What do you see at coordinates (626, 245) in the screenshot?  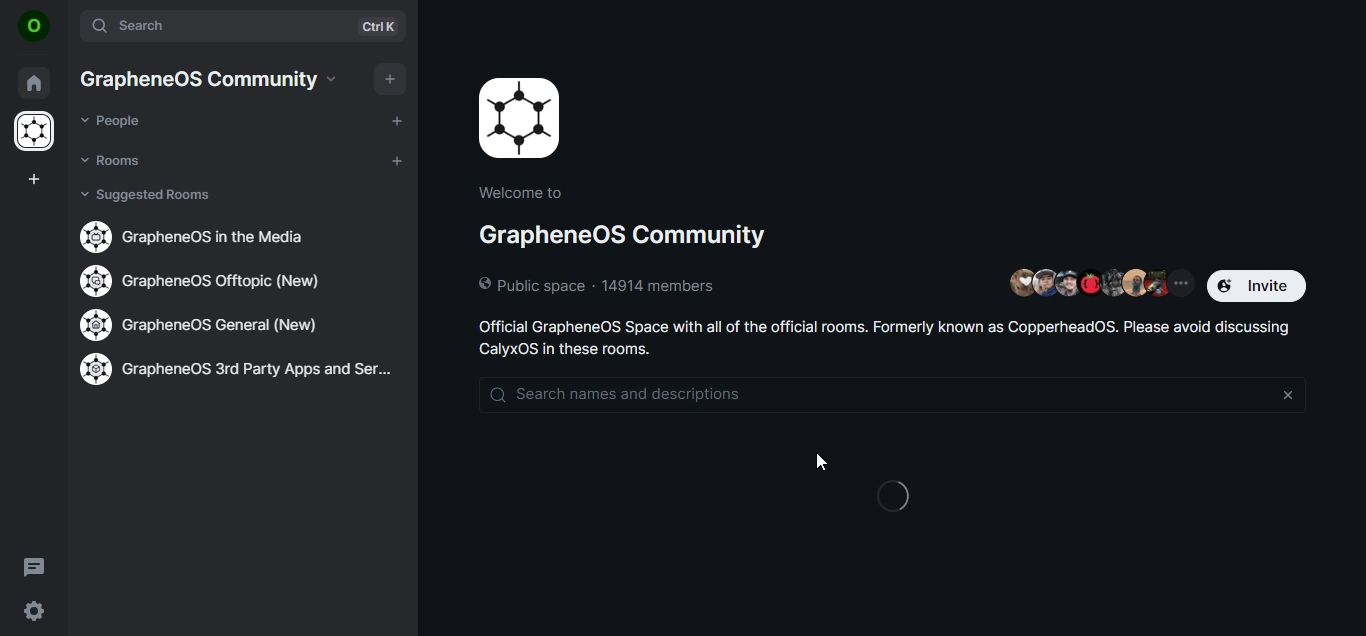 I see `GrapheneOS community` at bounding box center [626, 245].